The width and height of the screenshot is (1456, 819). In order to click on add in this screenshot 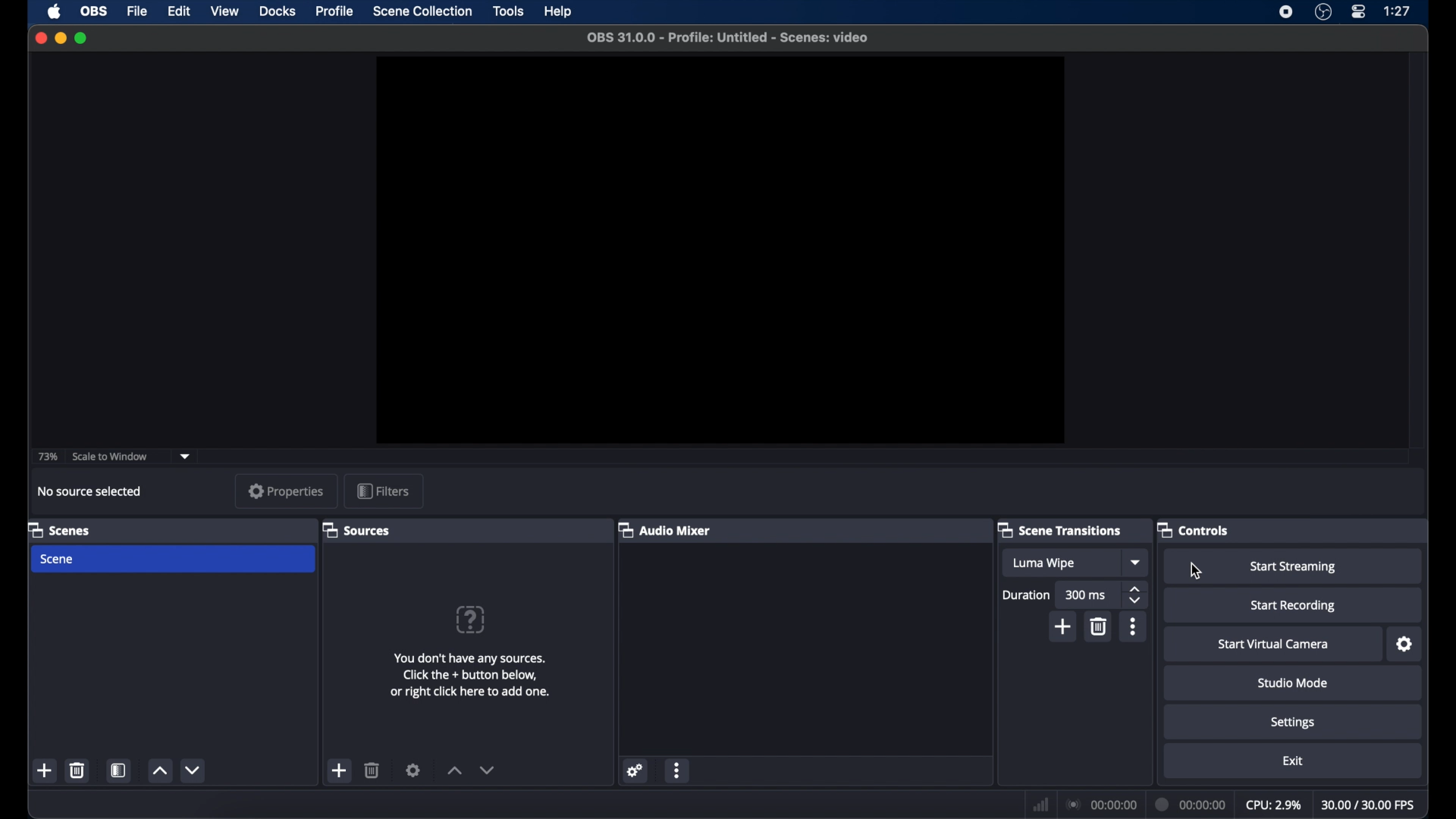, I will do `click(1065, 626)`.